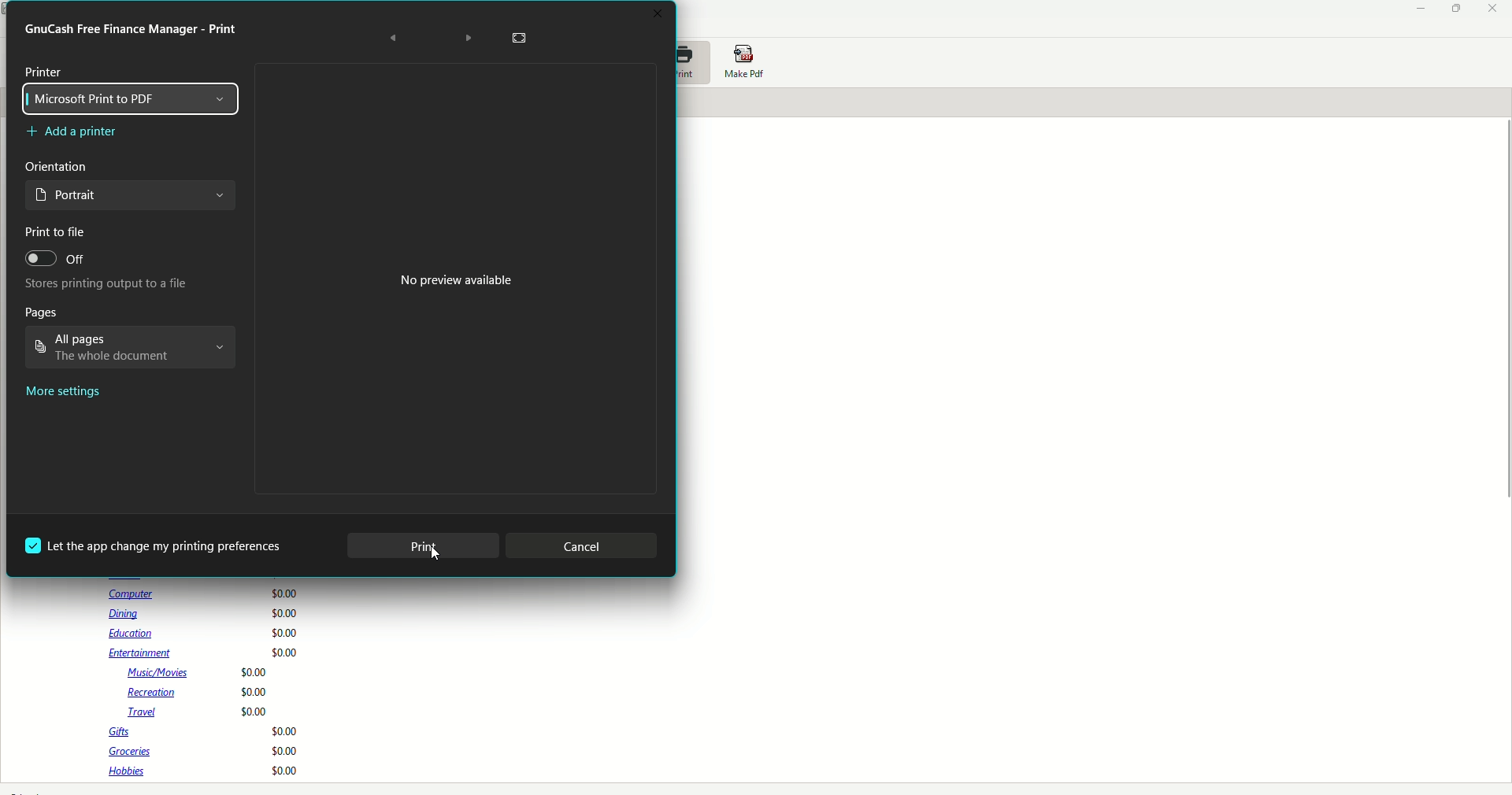 The image size is (1512, 795). What do you see at coordinates (130, 198) in the screenshot?
I see `Portrait` at bounding box center [130, 198].